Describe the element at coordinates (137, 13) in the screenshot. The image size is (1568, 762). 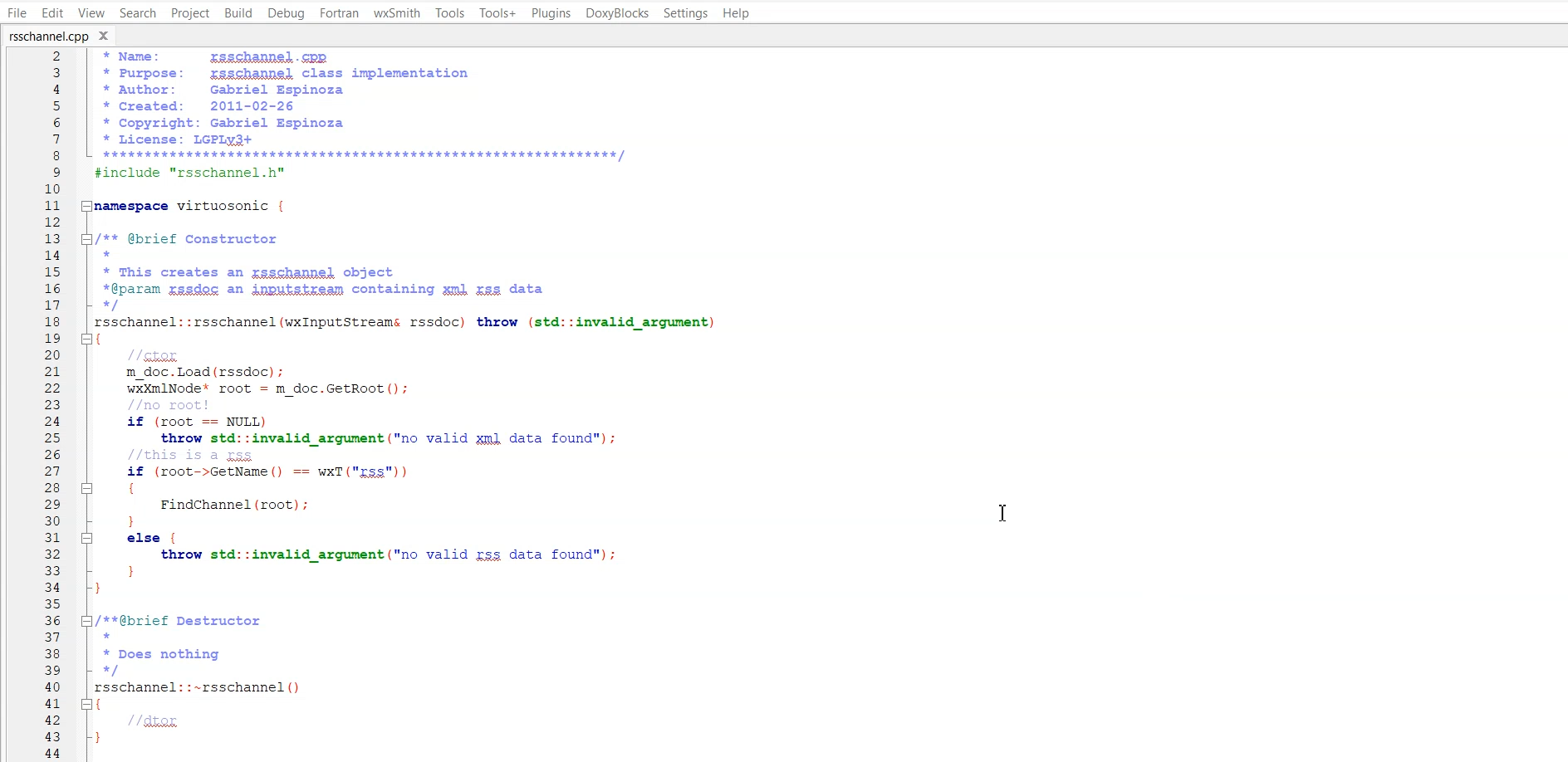
I see `Search` at that location.